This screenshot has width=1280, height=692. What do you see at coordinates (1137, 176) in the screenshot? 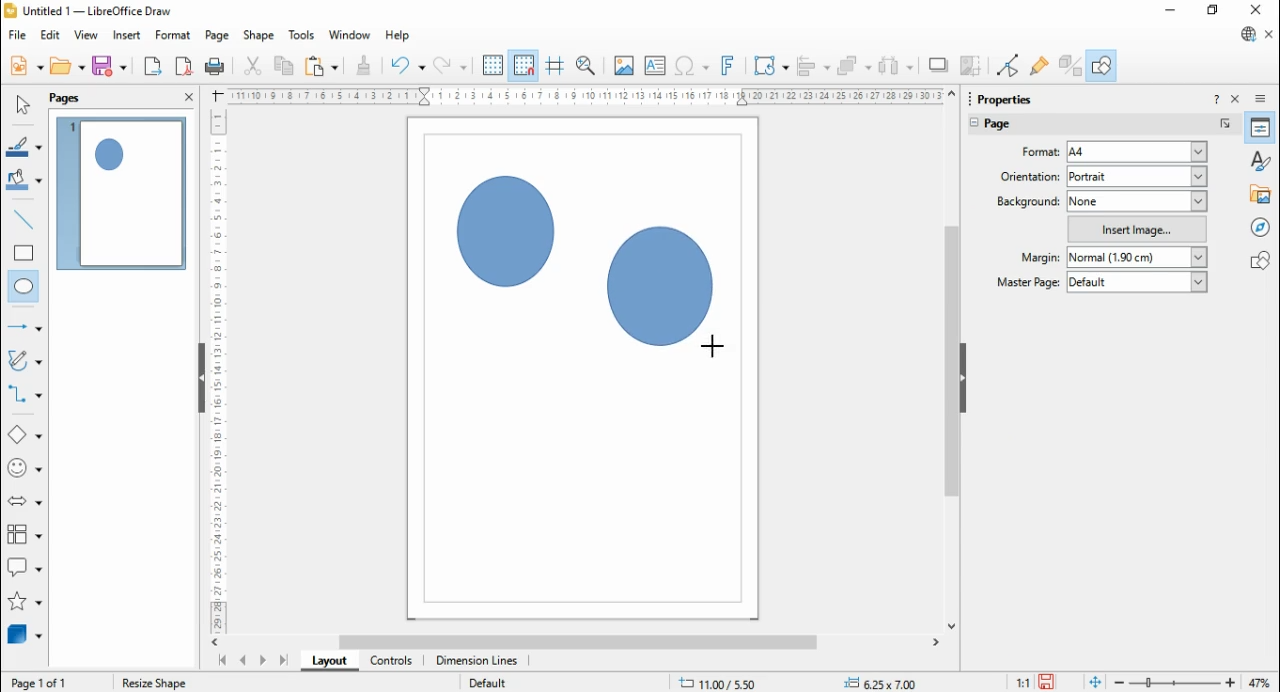
I see `portrait` at bounding box center [1137, 176].